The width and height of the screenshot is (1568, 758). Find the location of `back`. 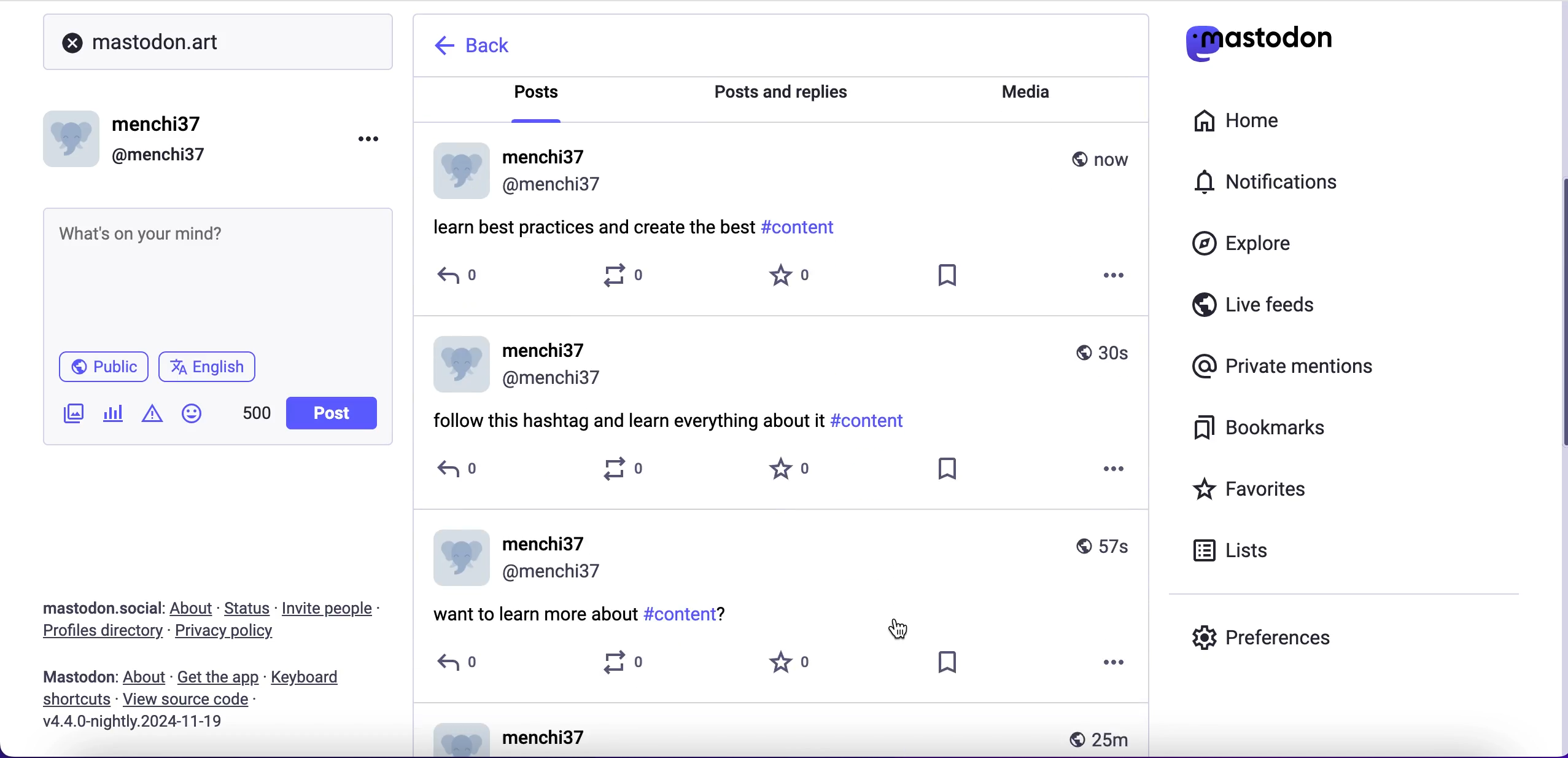

back is located at coordinates (489, 47).